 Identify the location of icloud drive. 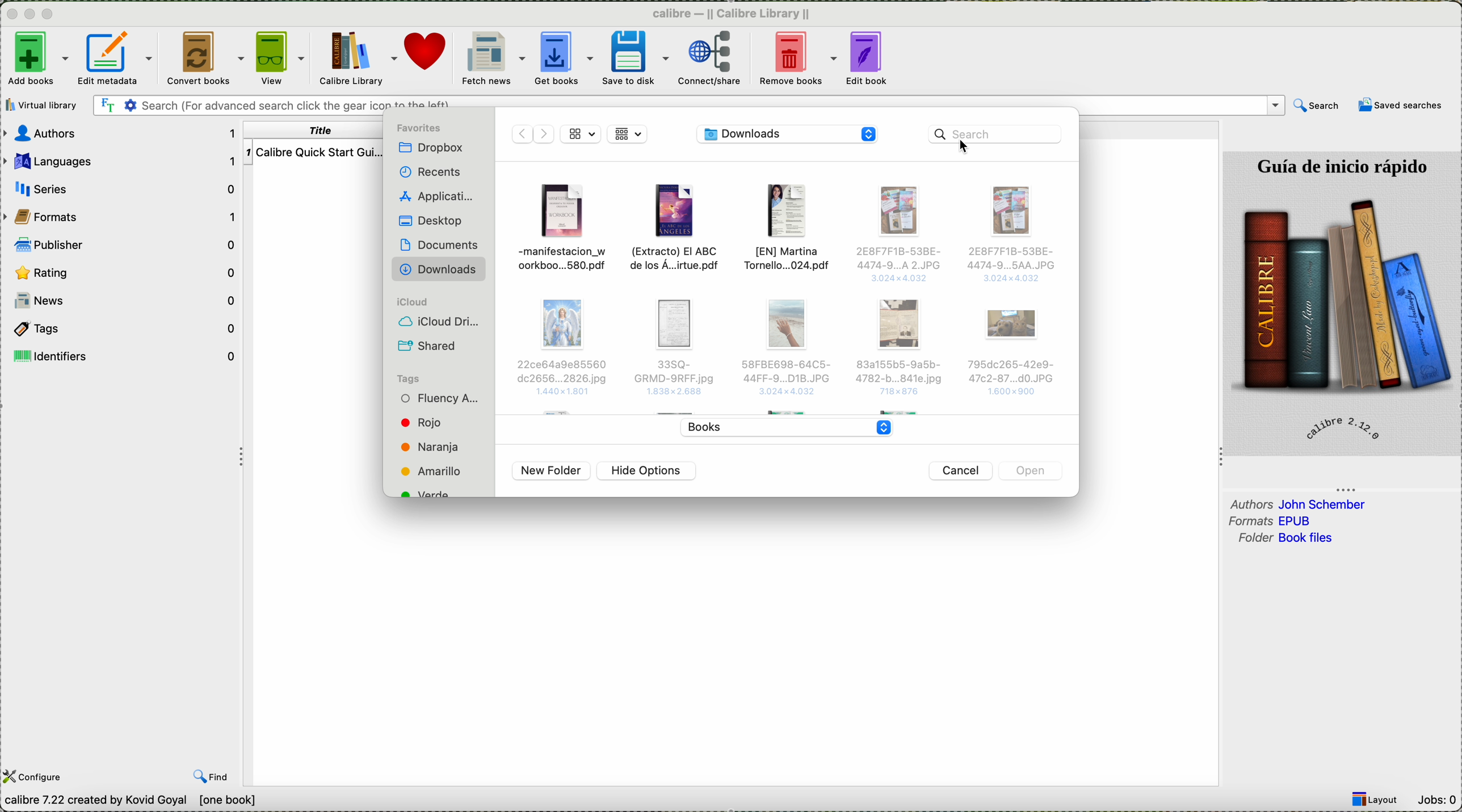
(441, 321).